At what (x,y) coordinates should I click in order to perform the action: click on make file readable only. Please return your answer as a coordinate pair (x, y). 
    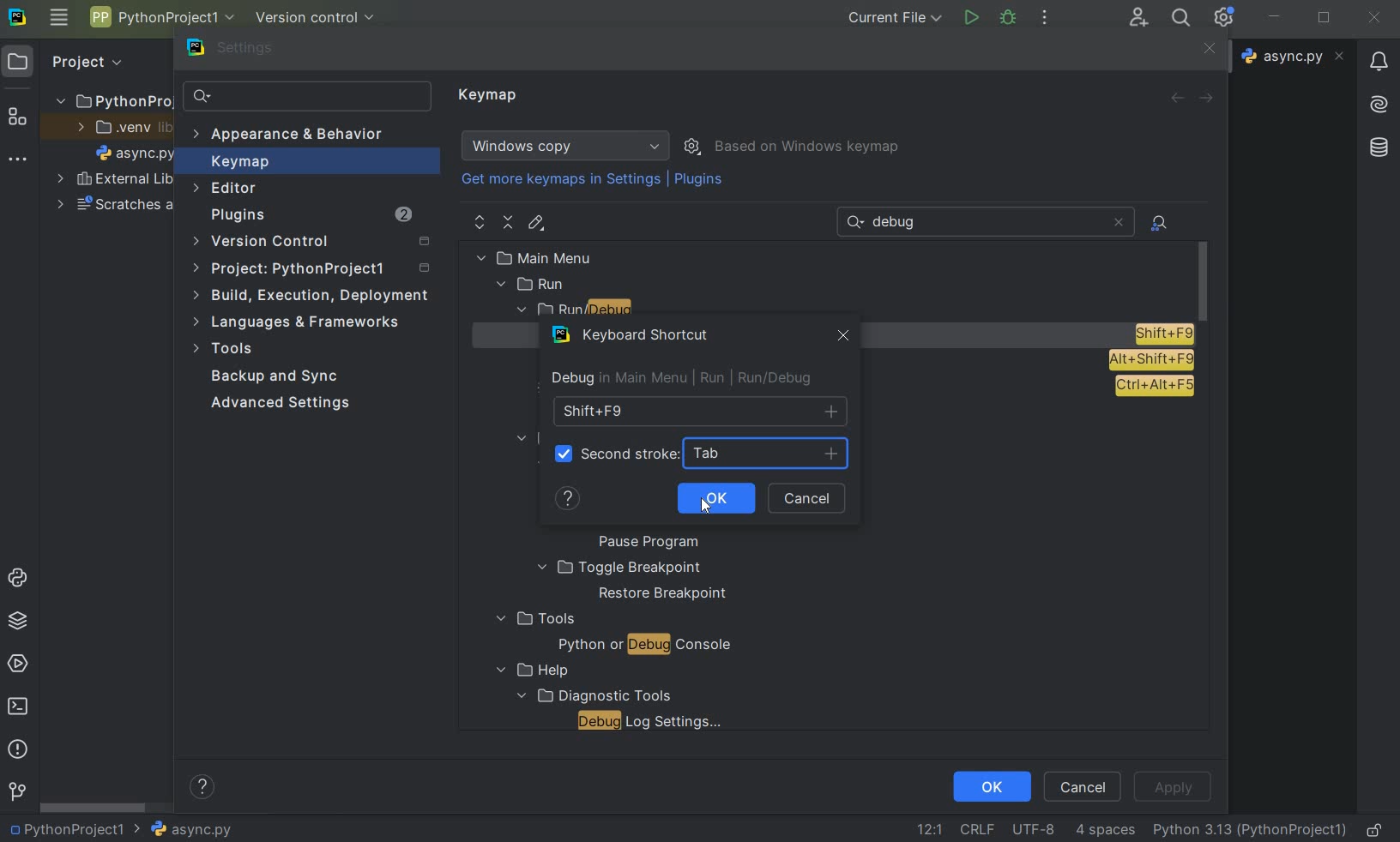
    Looking at the image, I should click on (1376, 828).